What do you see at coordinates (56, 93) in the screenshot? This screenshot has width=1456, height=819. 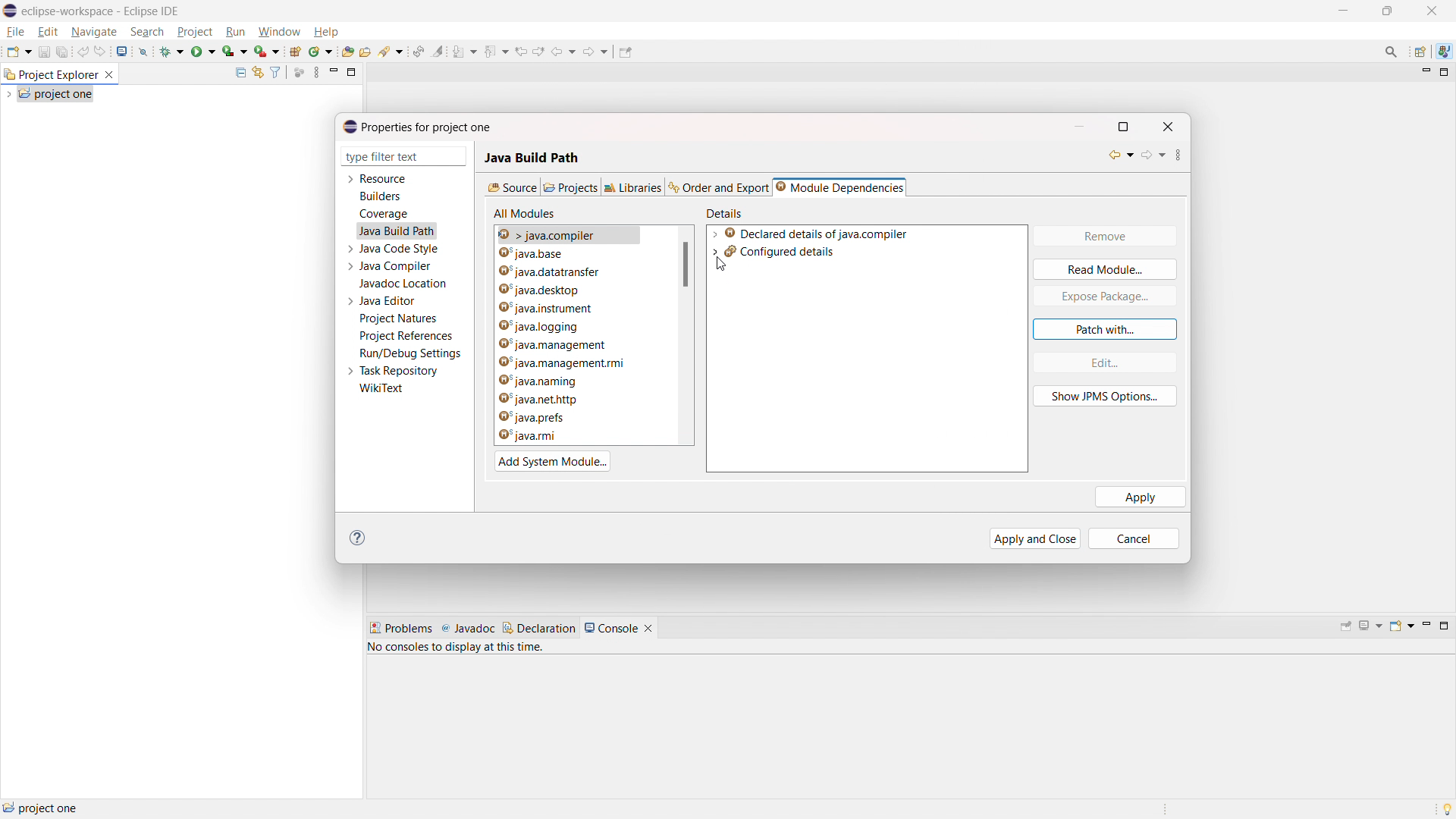 I see `project one` at bounding box center [56, 93].